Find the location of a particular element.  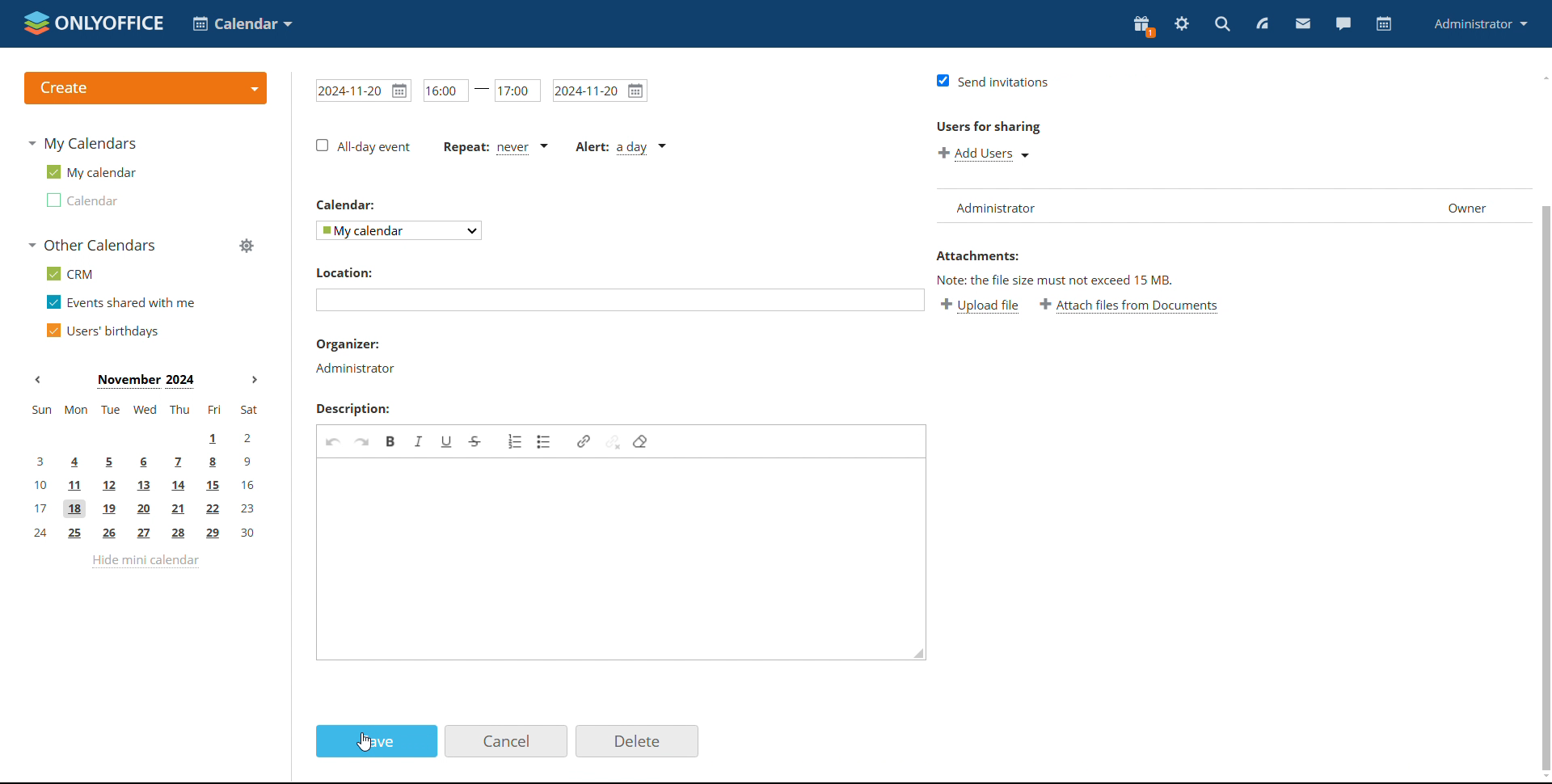

feed is located at coordinates (1265, 24).